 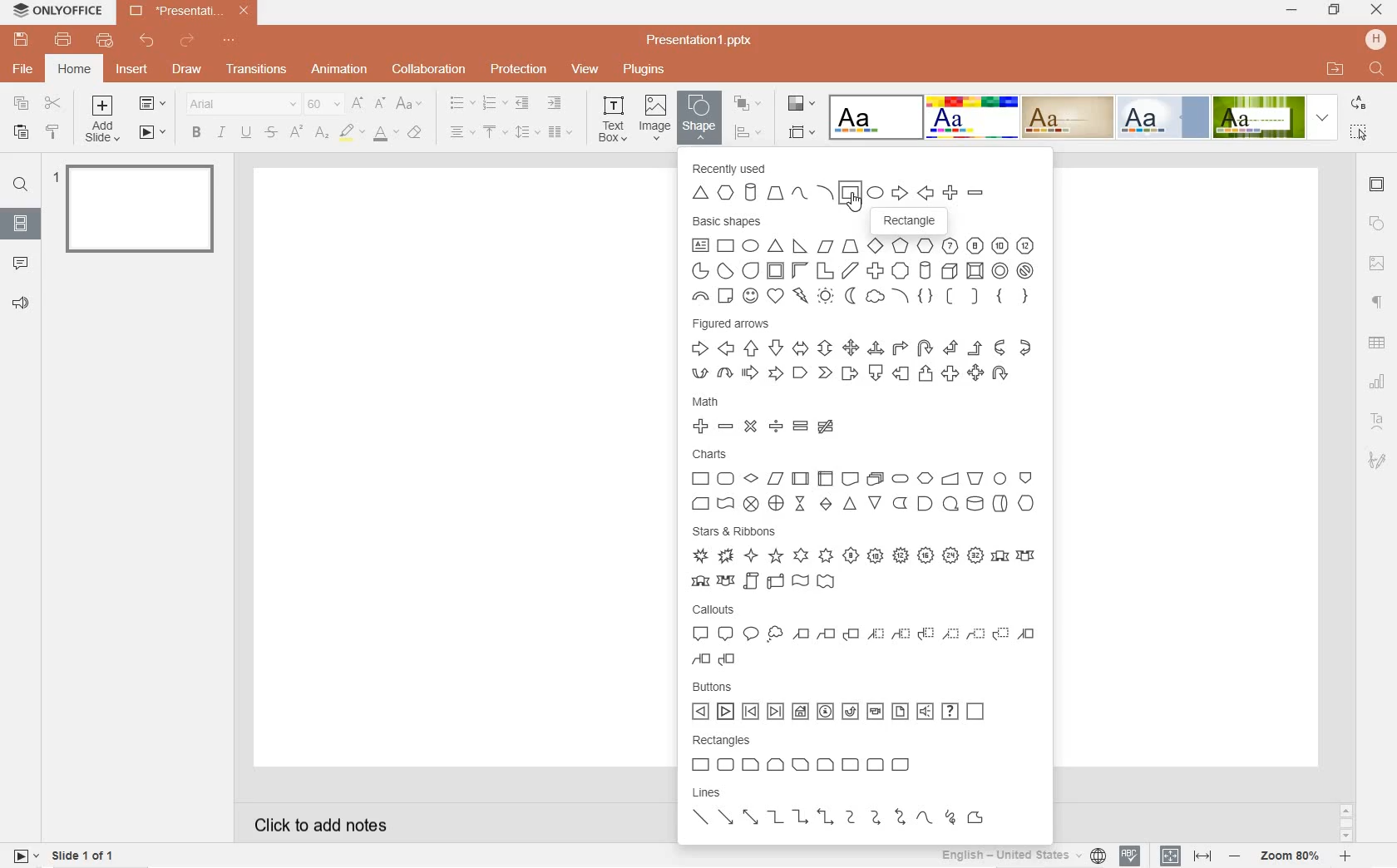 I want to click on Information Button, so click(x=825, y=712).